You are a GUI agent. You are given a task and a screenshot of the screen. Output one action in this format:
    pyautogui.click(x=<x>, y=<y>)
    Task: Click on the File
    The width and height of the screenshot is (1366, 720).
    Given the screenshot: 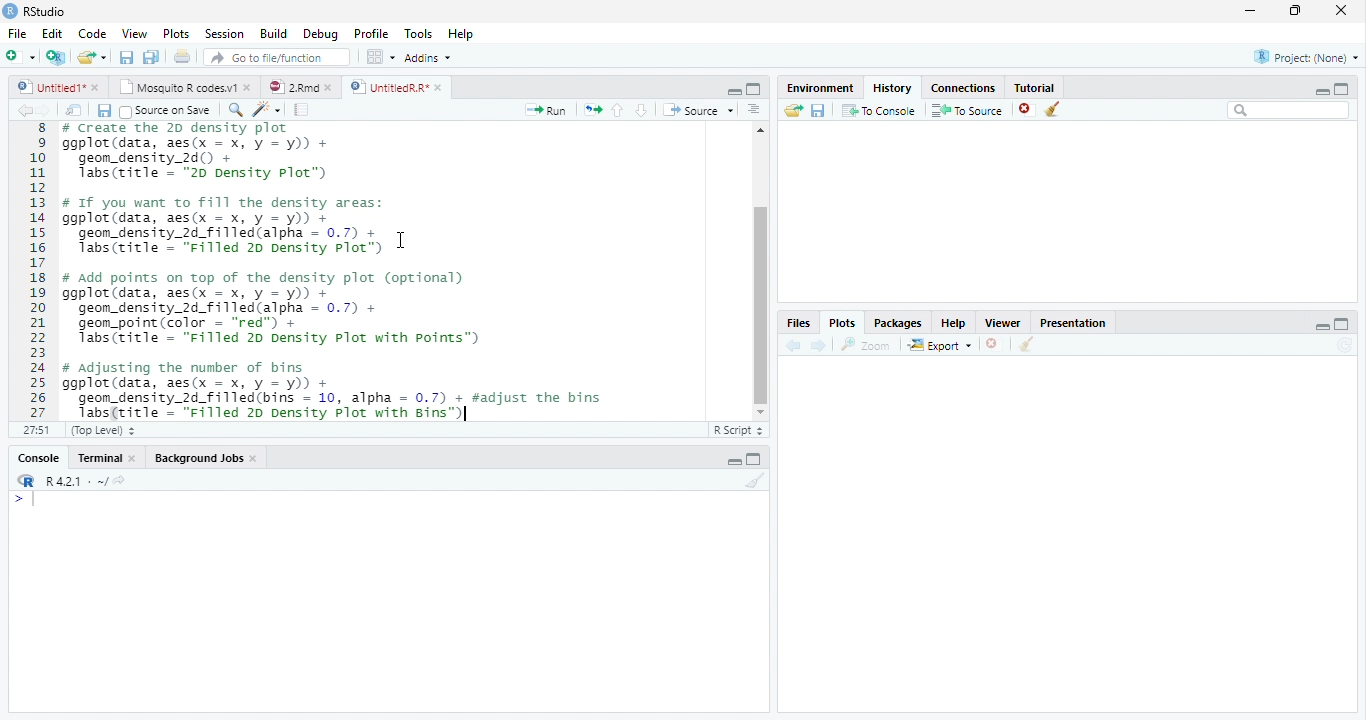 What is the action you would take?
    pyautogui.click(x=17, y=35)
    